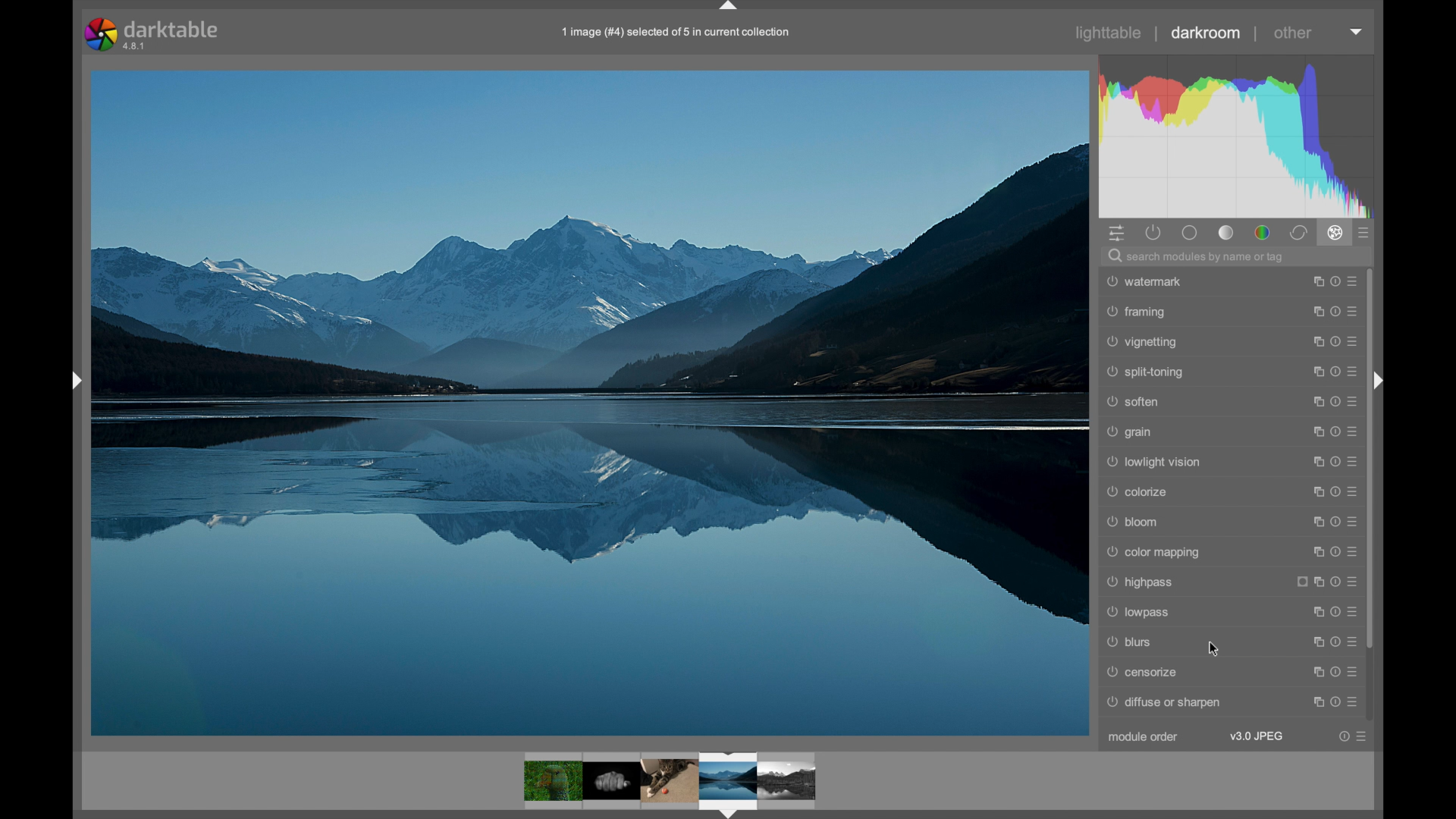  What do you see at coordinates (1297, 582) in the screenshot?
I see `icon` at bounding box center [1297, 582].